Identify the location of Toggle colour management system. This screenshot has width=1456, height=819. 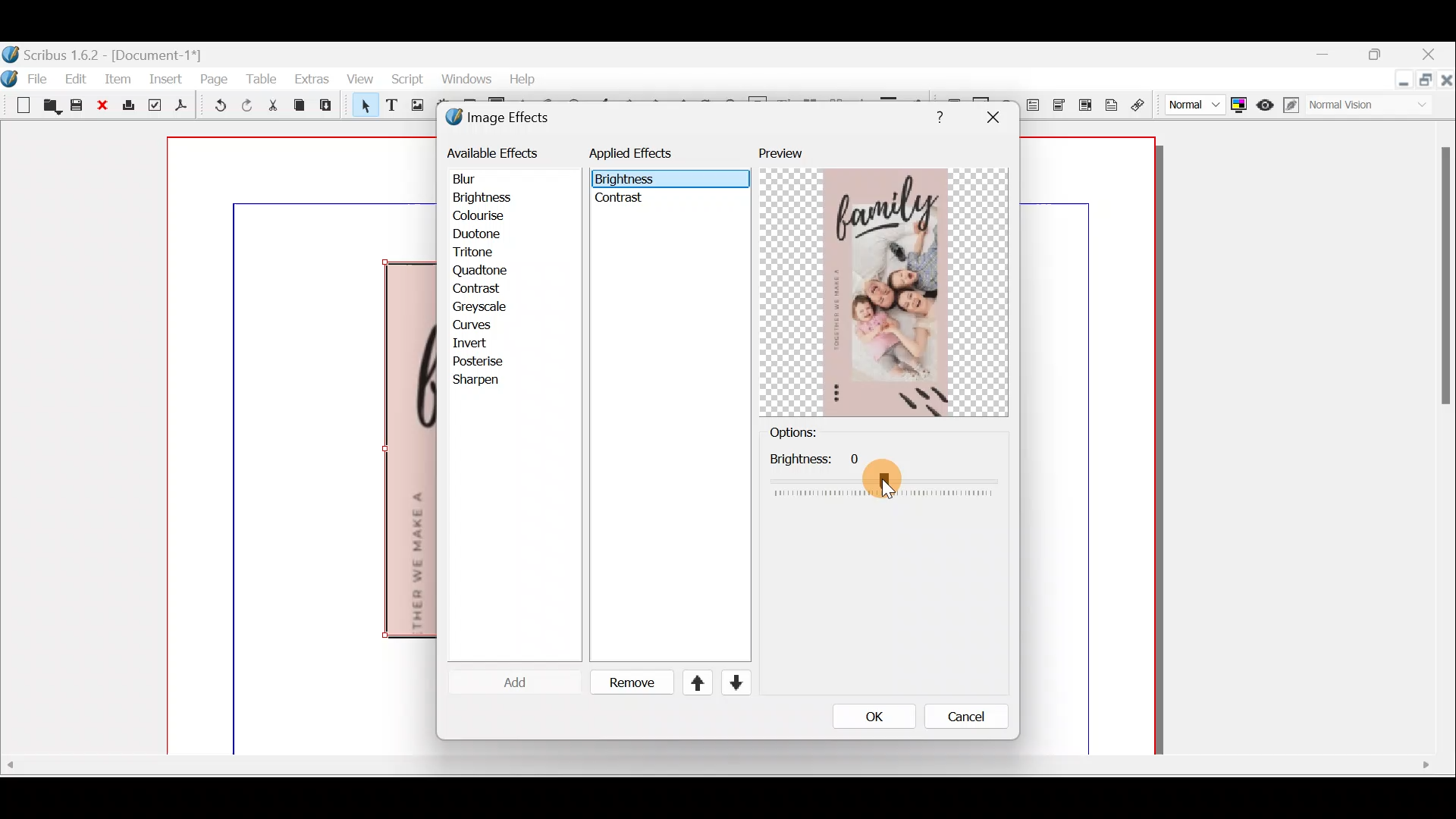
(1238, 102).